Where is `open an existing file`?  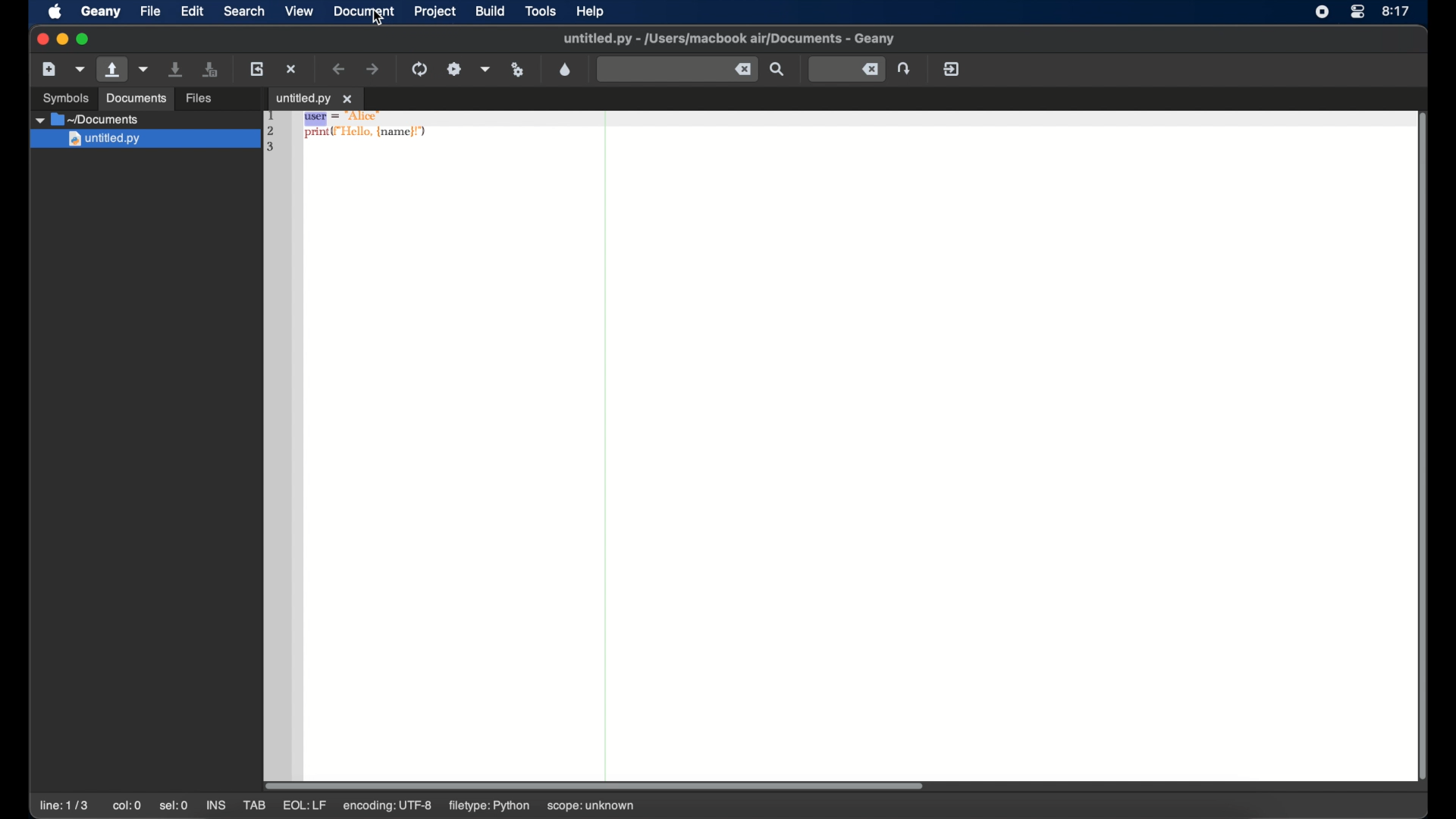 open an existing file is located at coordinates (112, 70).